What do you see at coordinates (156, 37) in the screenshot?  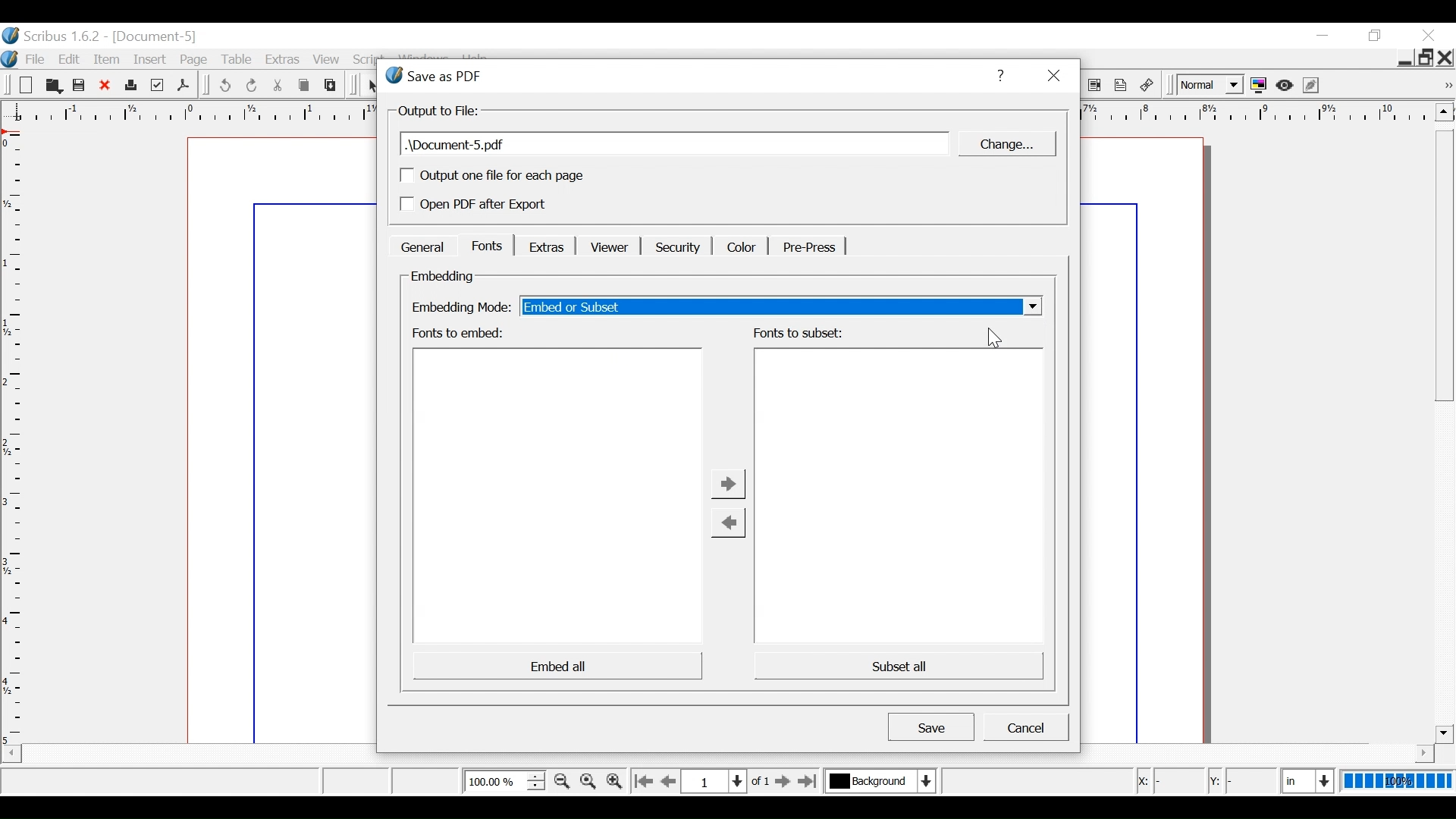 I see `Document name` at bounding box center [156, 37].